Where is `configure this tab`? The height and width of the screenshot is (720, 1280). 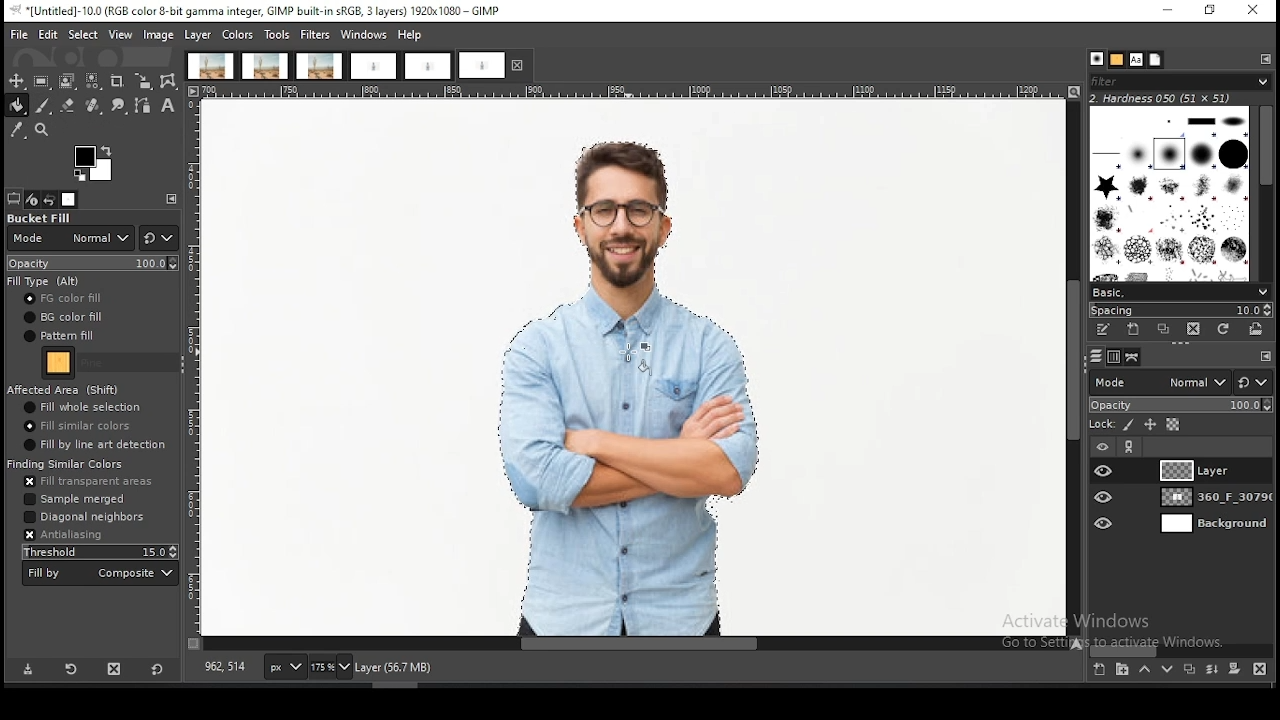
configure this tab is located at coordinates (1266, 61).